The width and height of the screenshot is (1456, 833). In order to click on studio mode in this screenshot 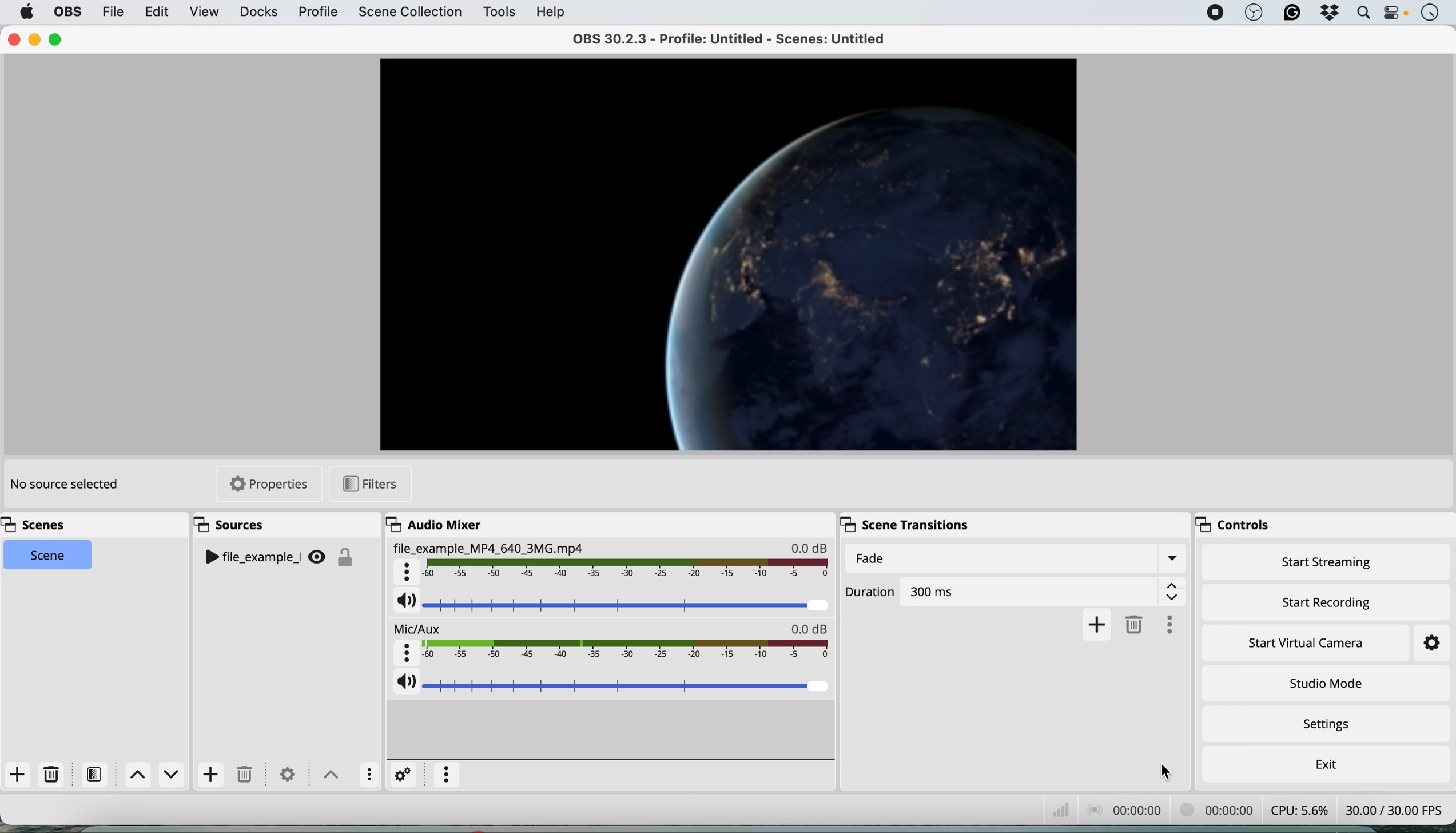, I will do `click(1325, 683)`.